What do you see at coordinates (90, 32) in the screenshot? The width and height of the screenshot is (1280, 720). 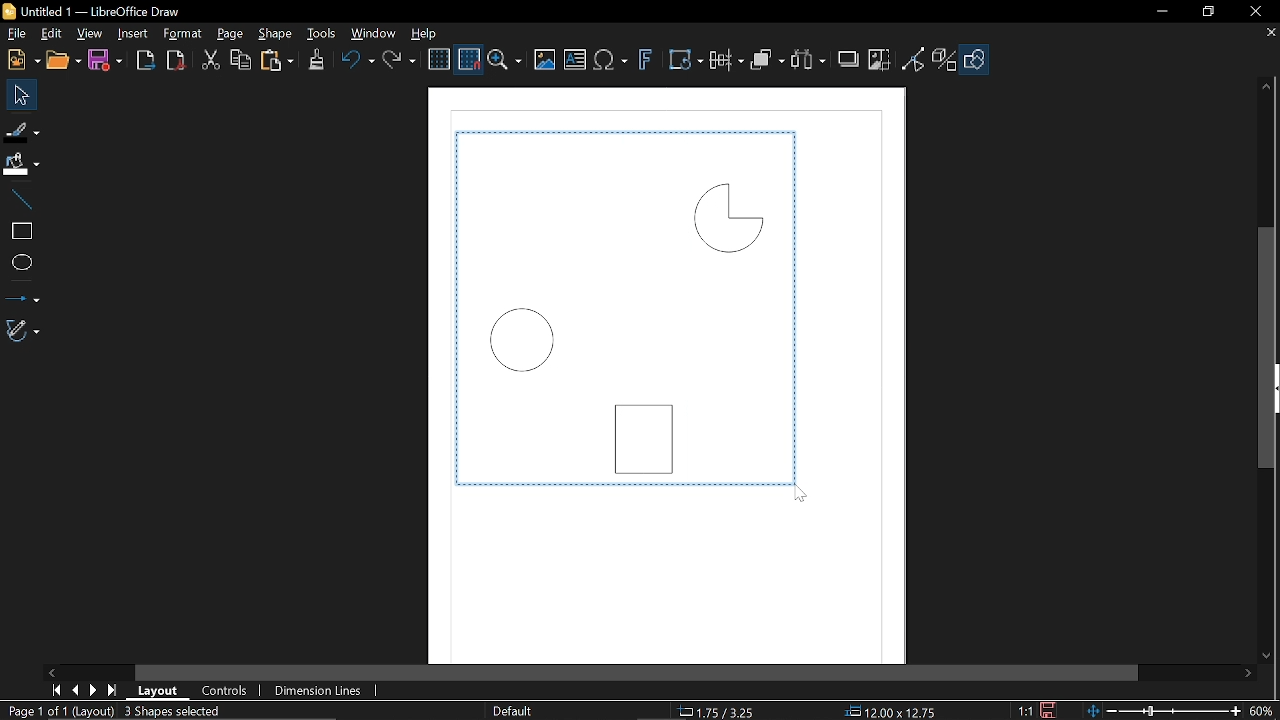 I see `View` at bounding box center [90, 32].